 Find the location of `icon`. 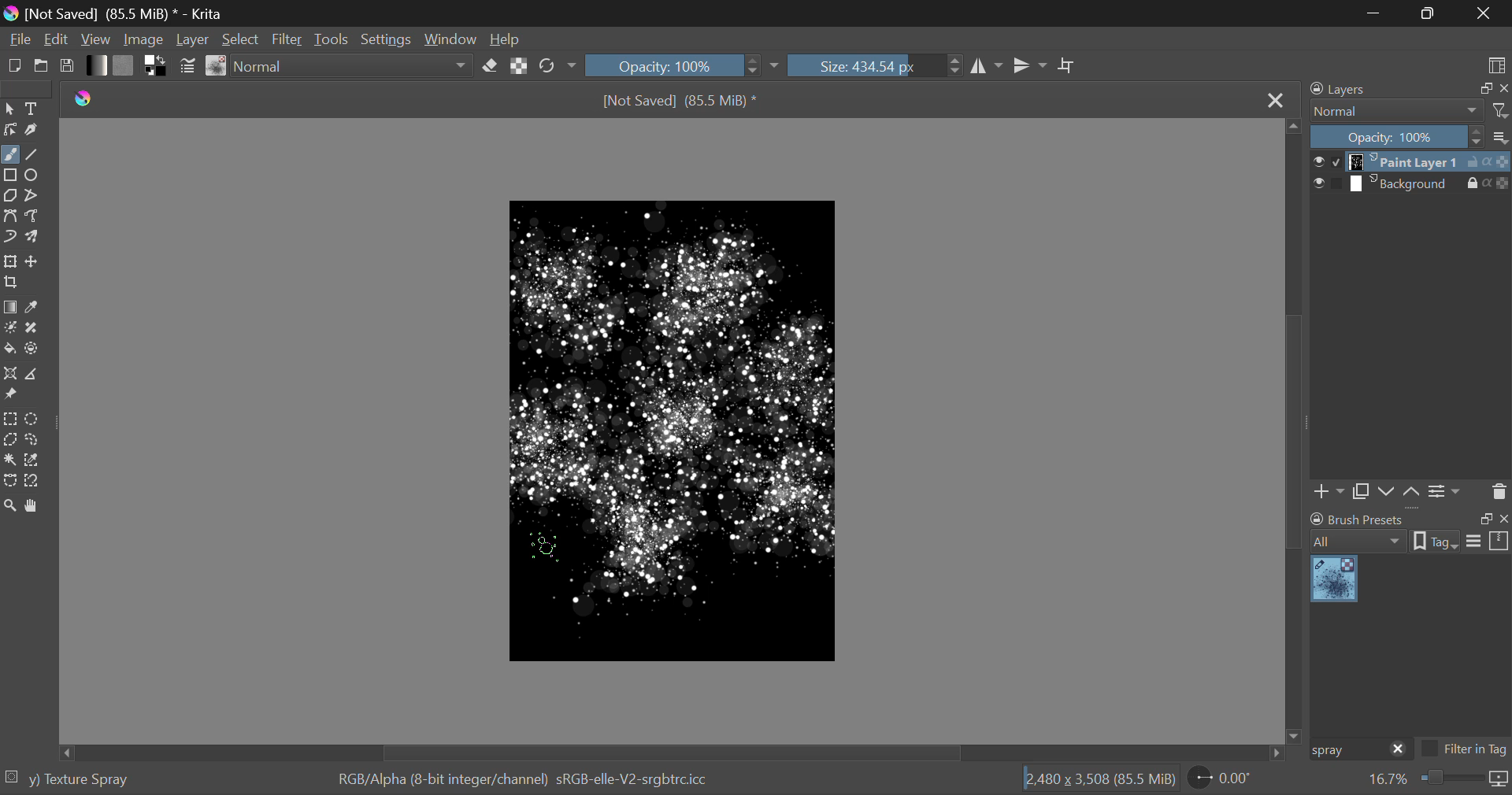

icon is located at coordinates (1499, 780).